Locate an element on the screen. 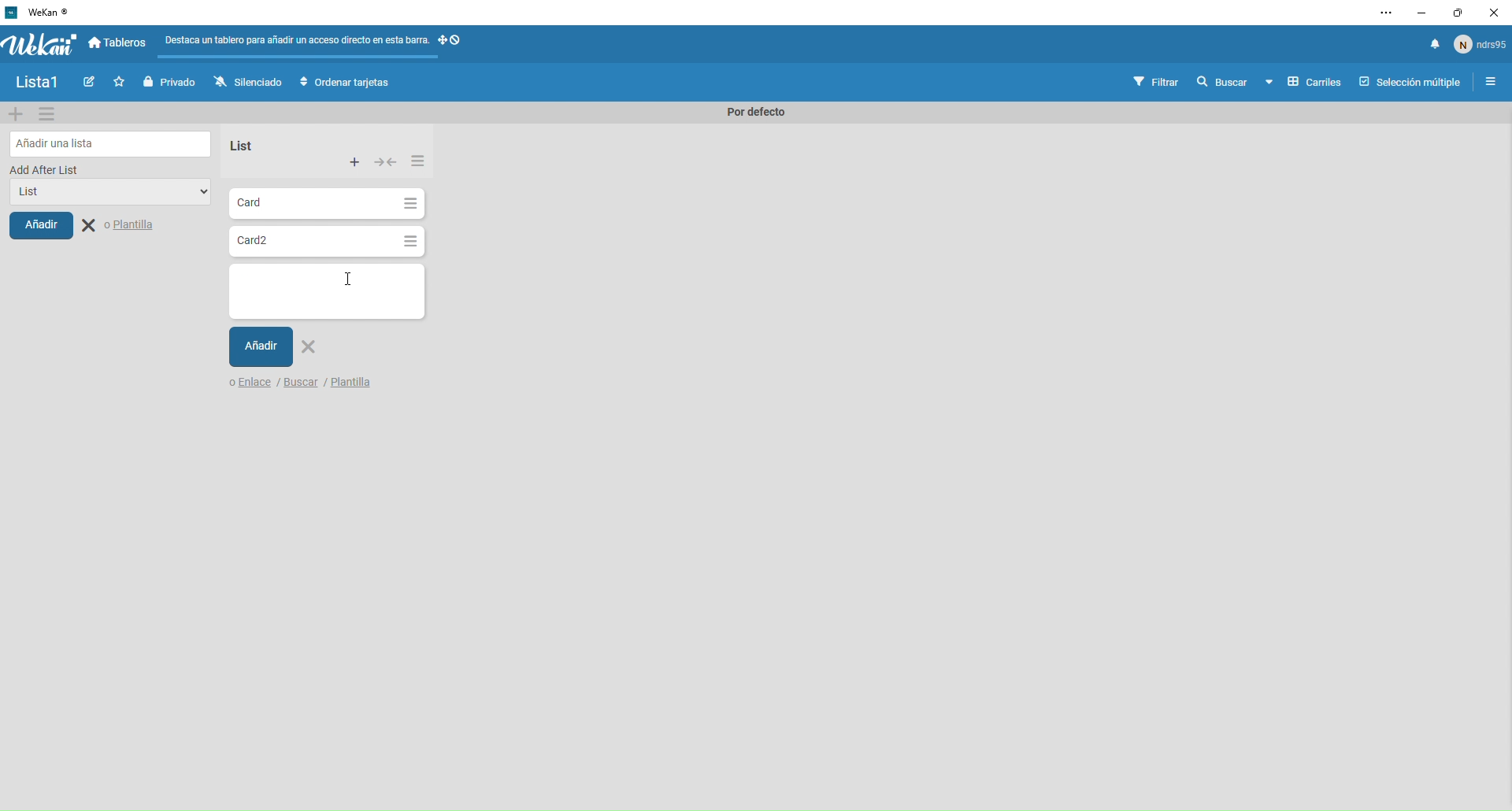 The height and width of the screenshot is (811, 1512). Menu is located at coordinates (1492, 83).